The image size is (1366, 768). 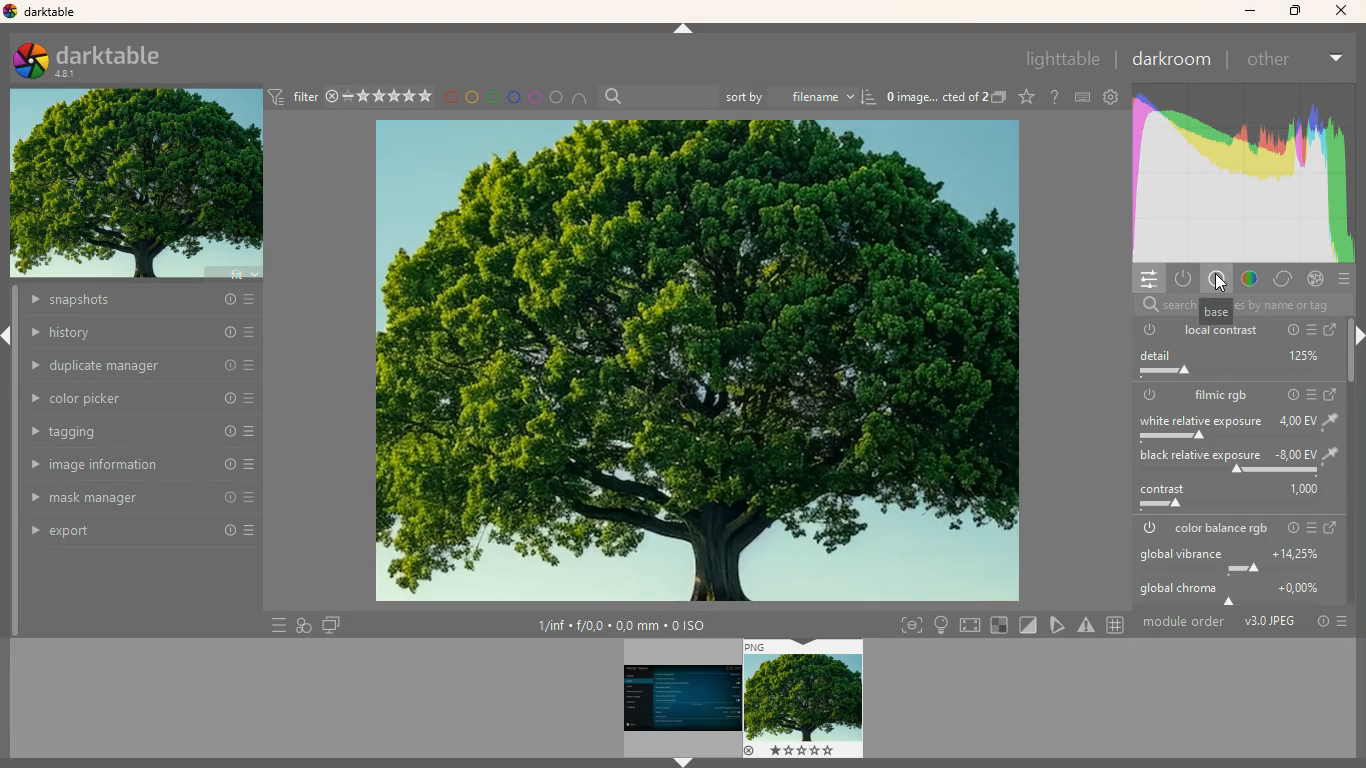 What do you see at coordinates (491, 97) in the screenshot?
I see `green circle` at bounding box center [491, 97].